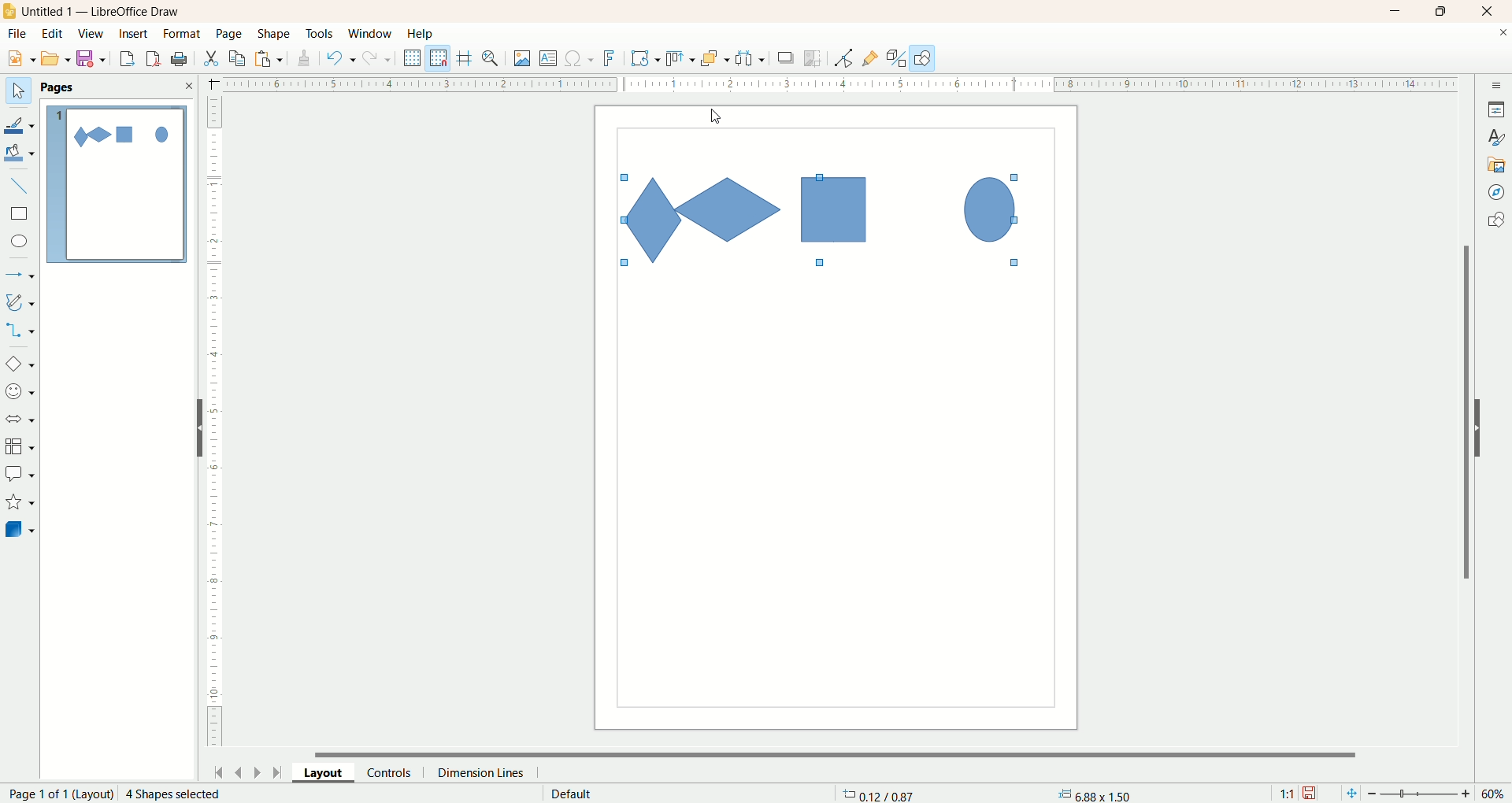 This screenshot has width=1512, height=803. What do you see at coordinates (92, 34) in the screenshot?
I see `view` at bounding box center [92, 34].